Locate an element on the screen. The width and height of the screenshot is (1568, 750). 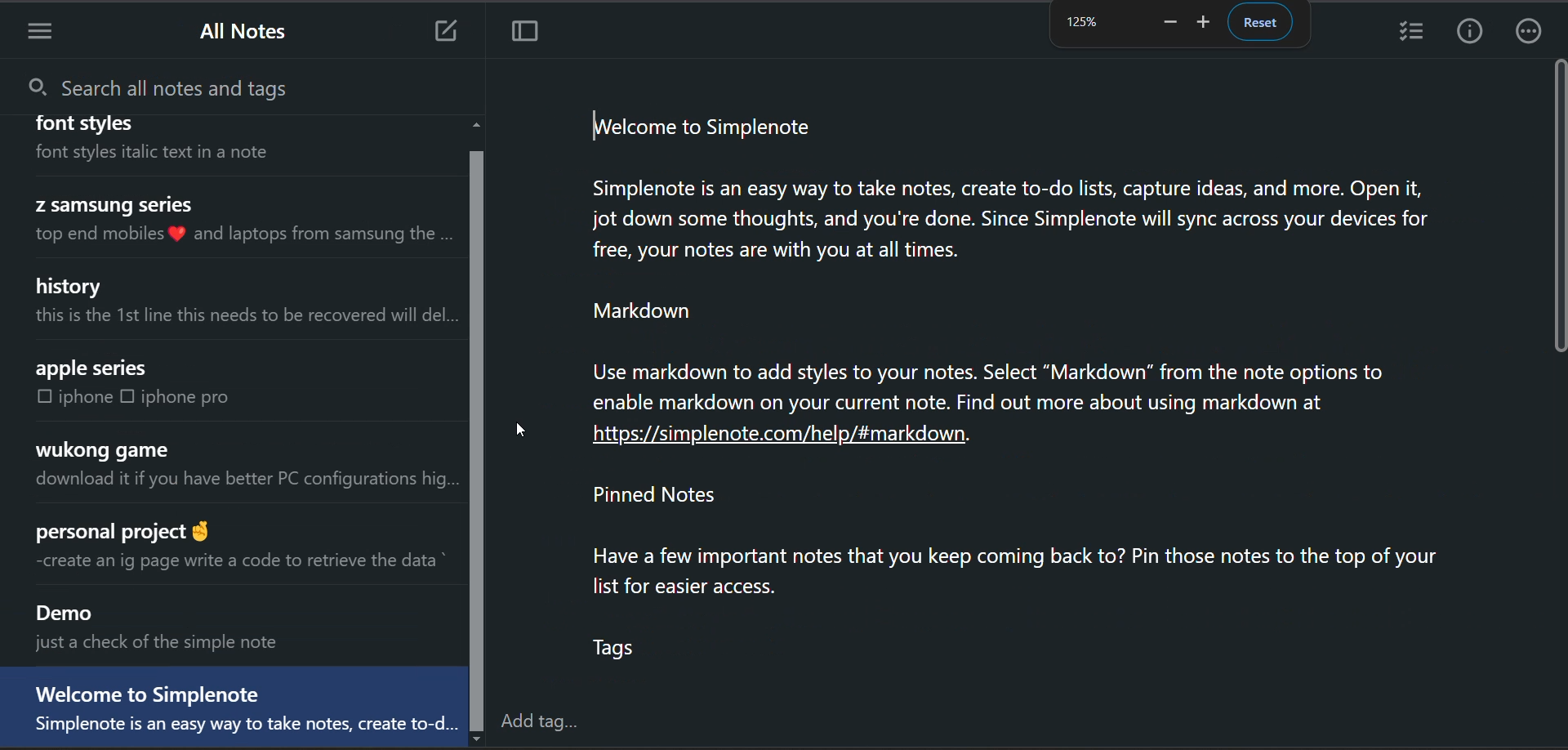
personal project @ is located at coordinates (127, 529).